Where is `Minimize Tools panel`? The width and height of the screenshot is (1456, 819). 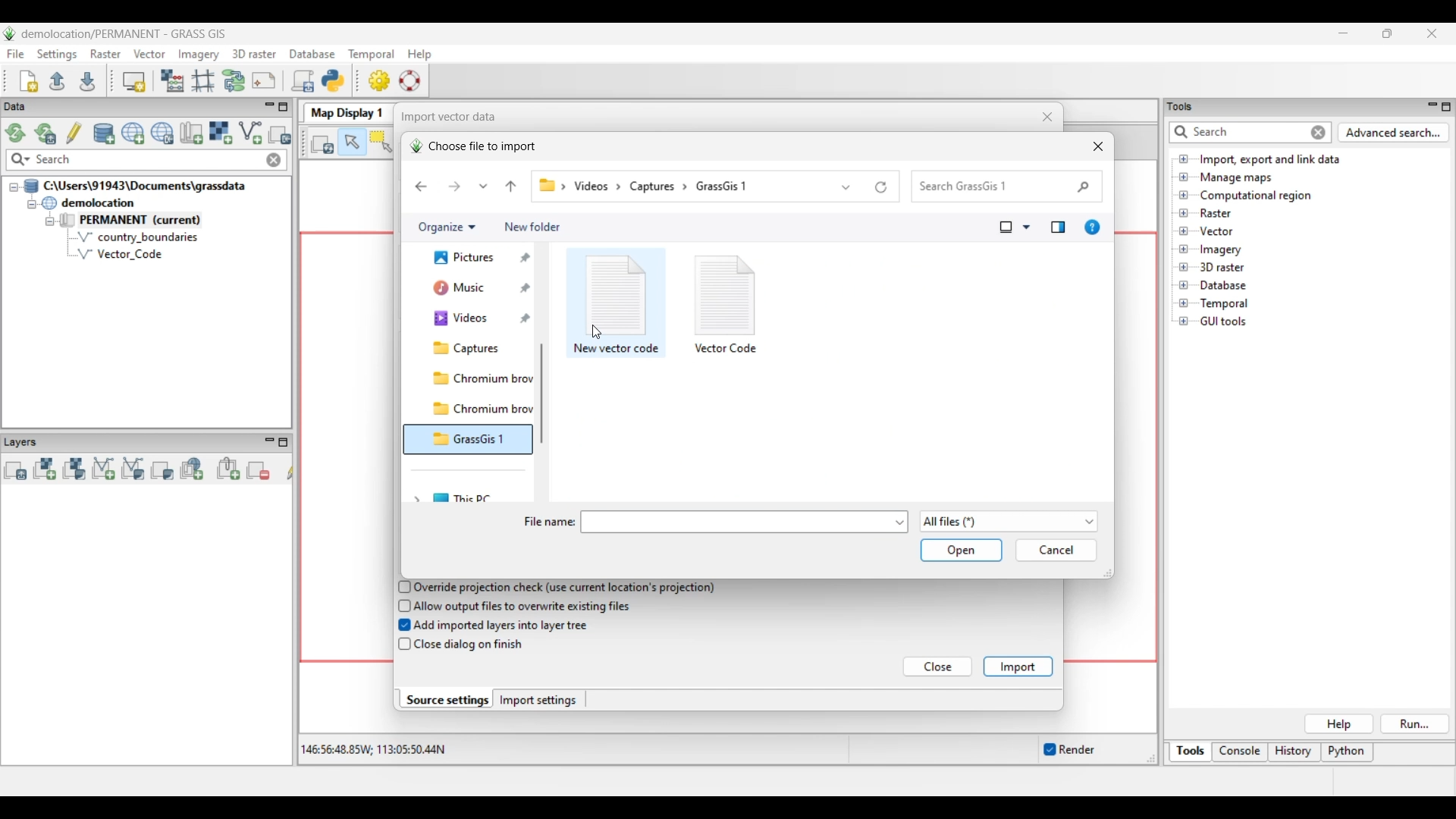
Minimize Tools panel is located at coordinates (1430, 106).